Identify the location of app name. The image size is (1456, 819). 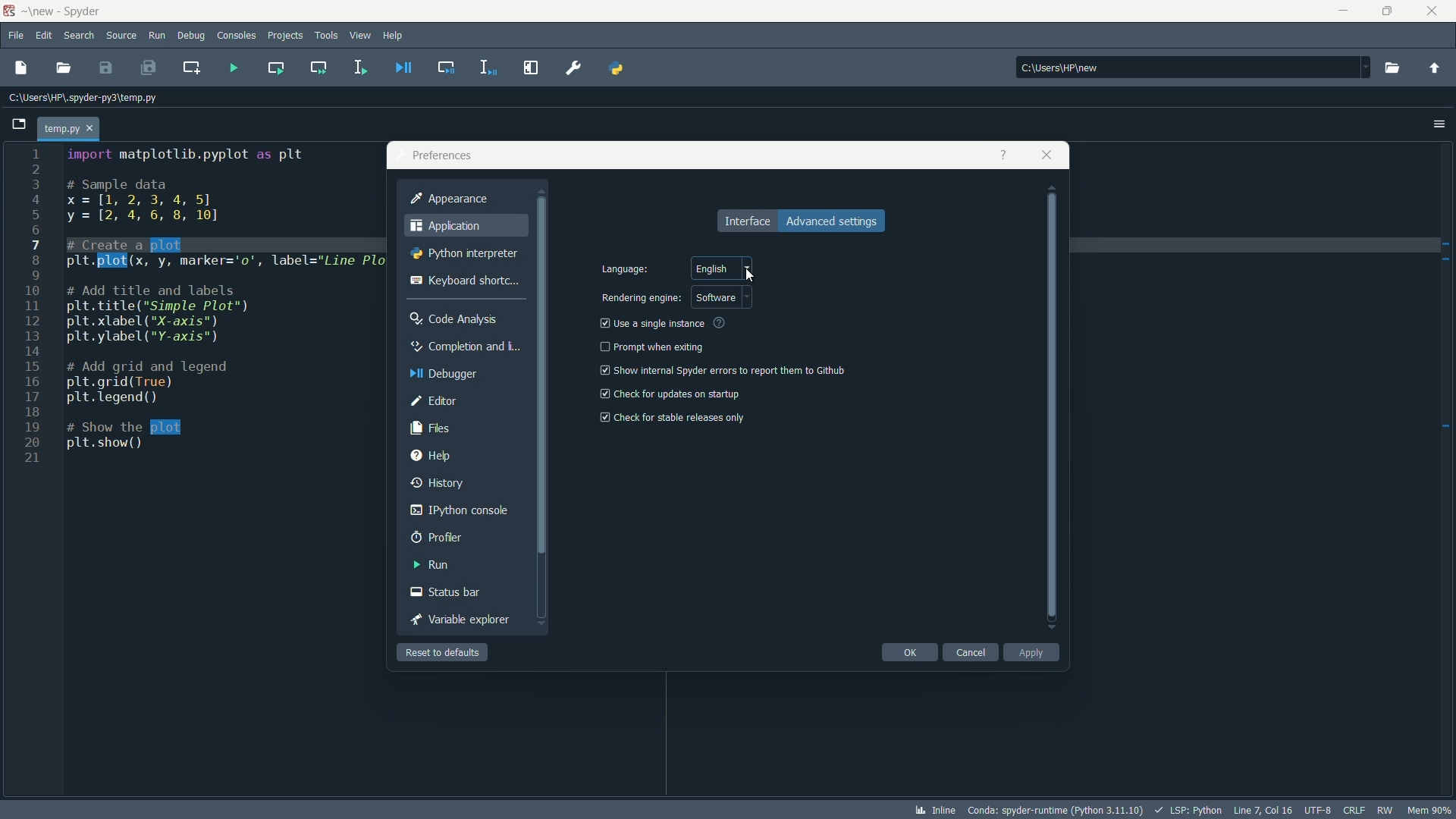
(82, 13).